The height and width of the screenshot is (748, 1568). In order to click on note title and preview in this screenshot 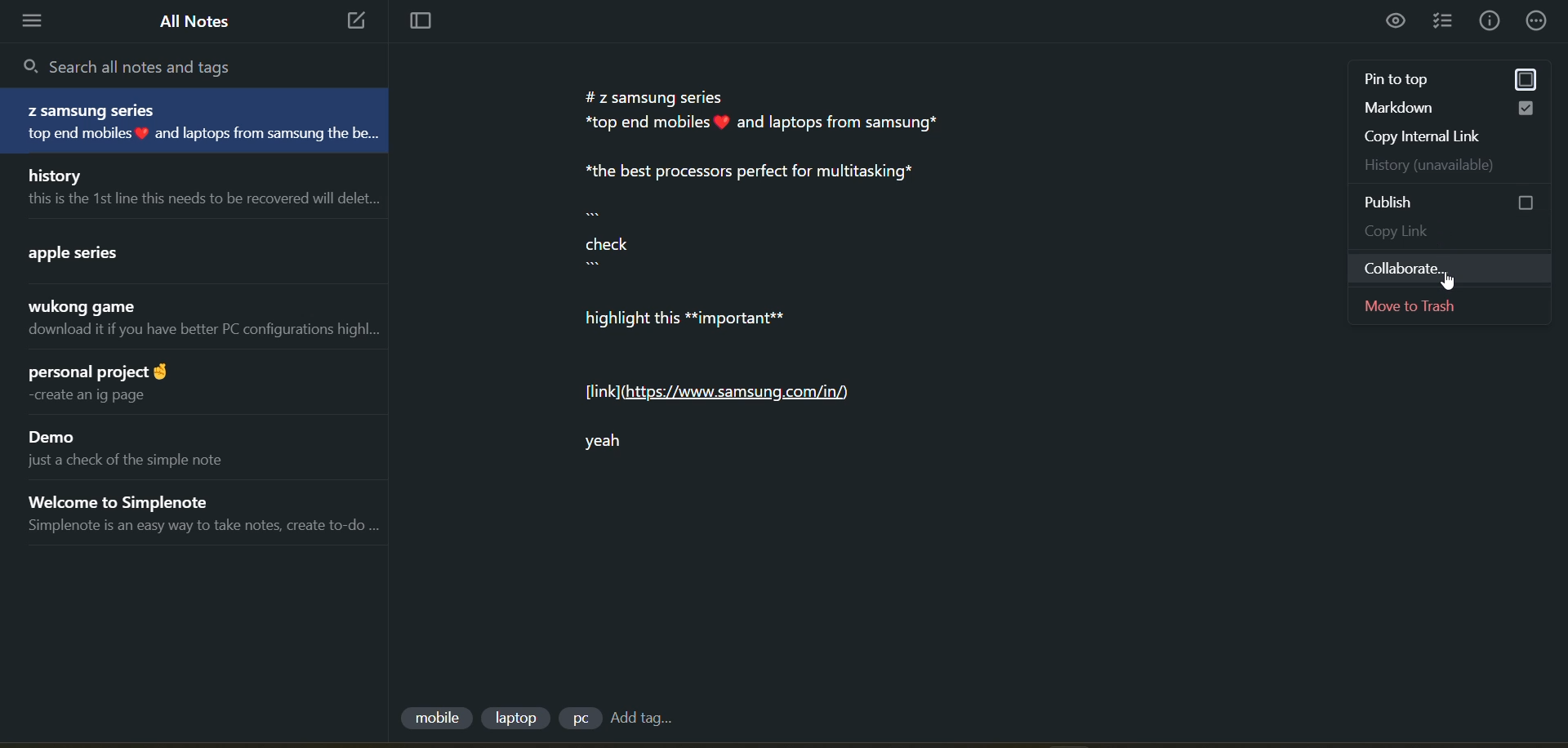, I will do `click(201, 122)`.